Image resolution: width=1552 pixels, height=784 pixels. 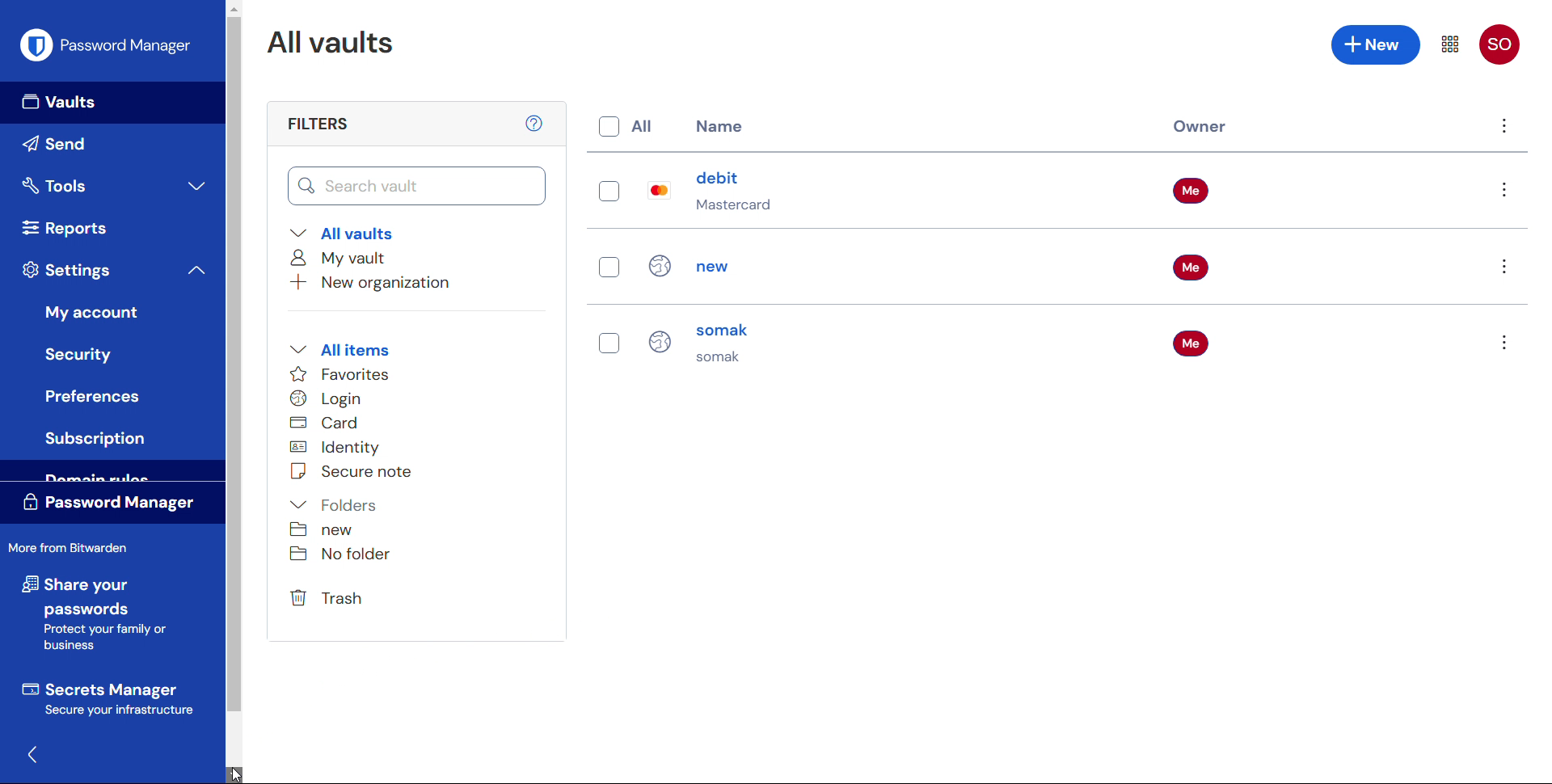 What do you see at coordinates (739, 192) in the screenshot?
I see `debit Mastercard` at bounding box center [739, 192].